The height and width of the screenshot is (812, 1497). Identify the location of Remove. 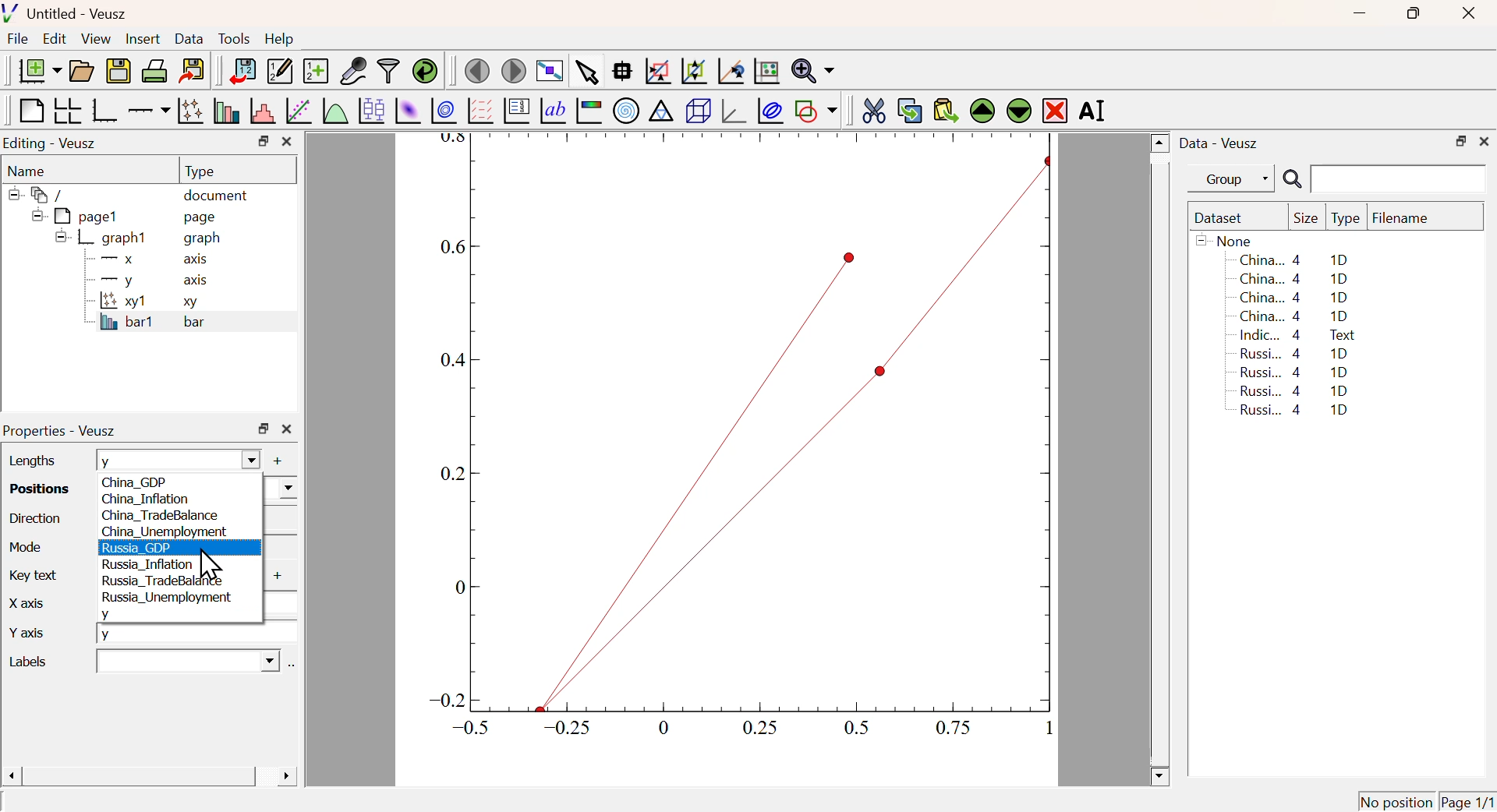
(1056, 111).